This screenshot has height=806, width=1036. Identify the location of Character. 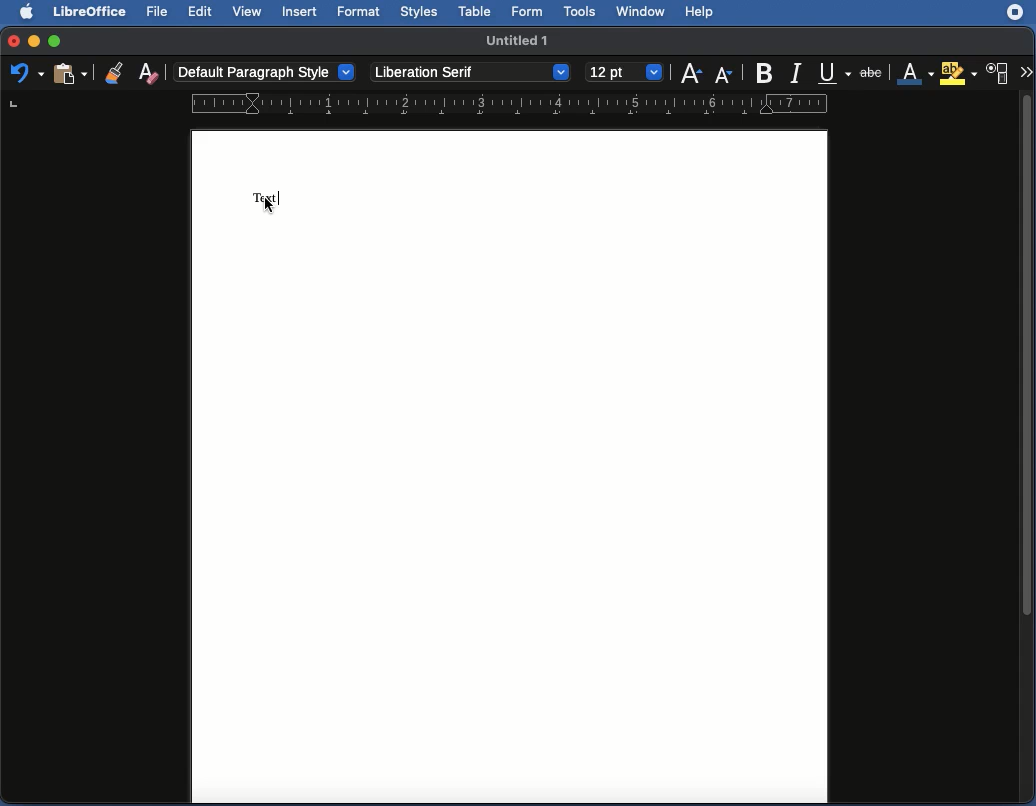
(998, 74).